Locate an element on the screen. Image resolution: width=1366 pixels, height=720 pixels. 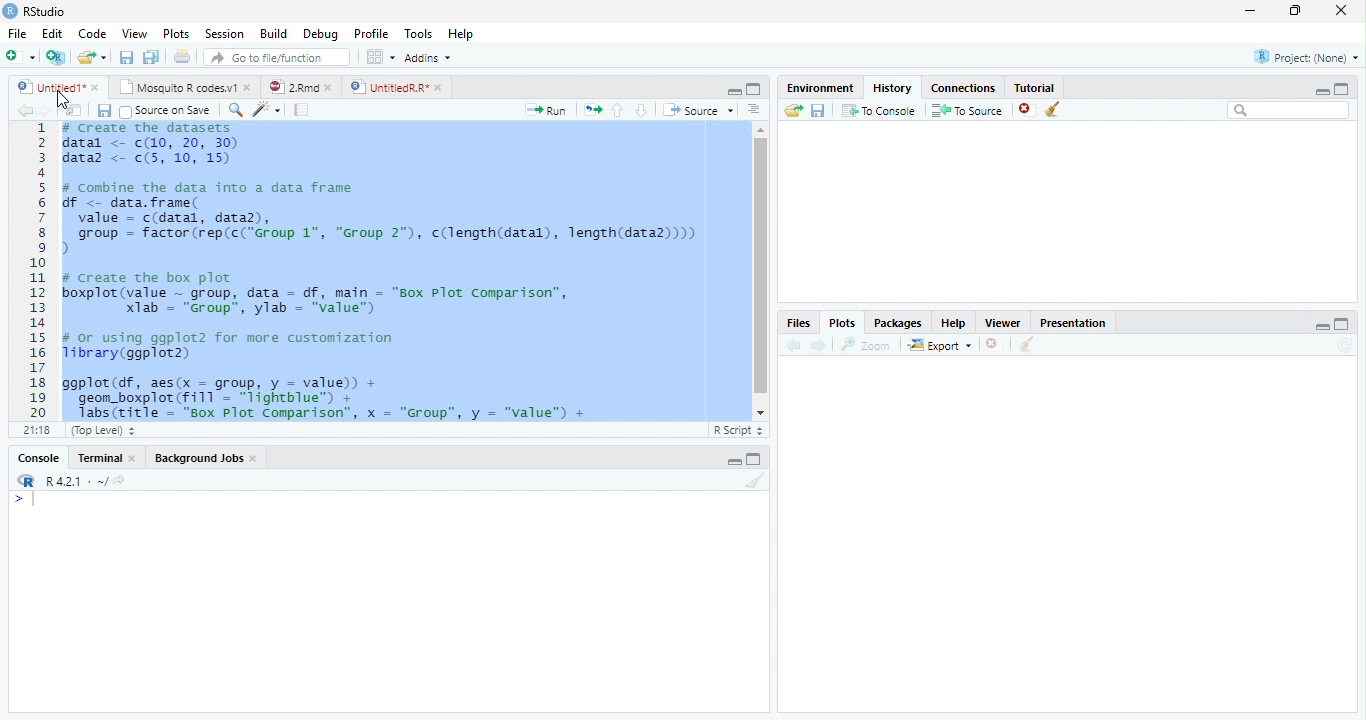
vertical scroll bar is located at coordinates (761, 271).